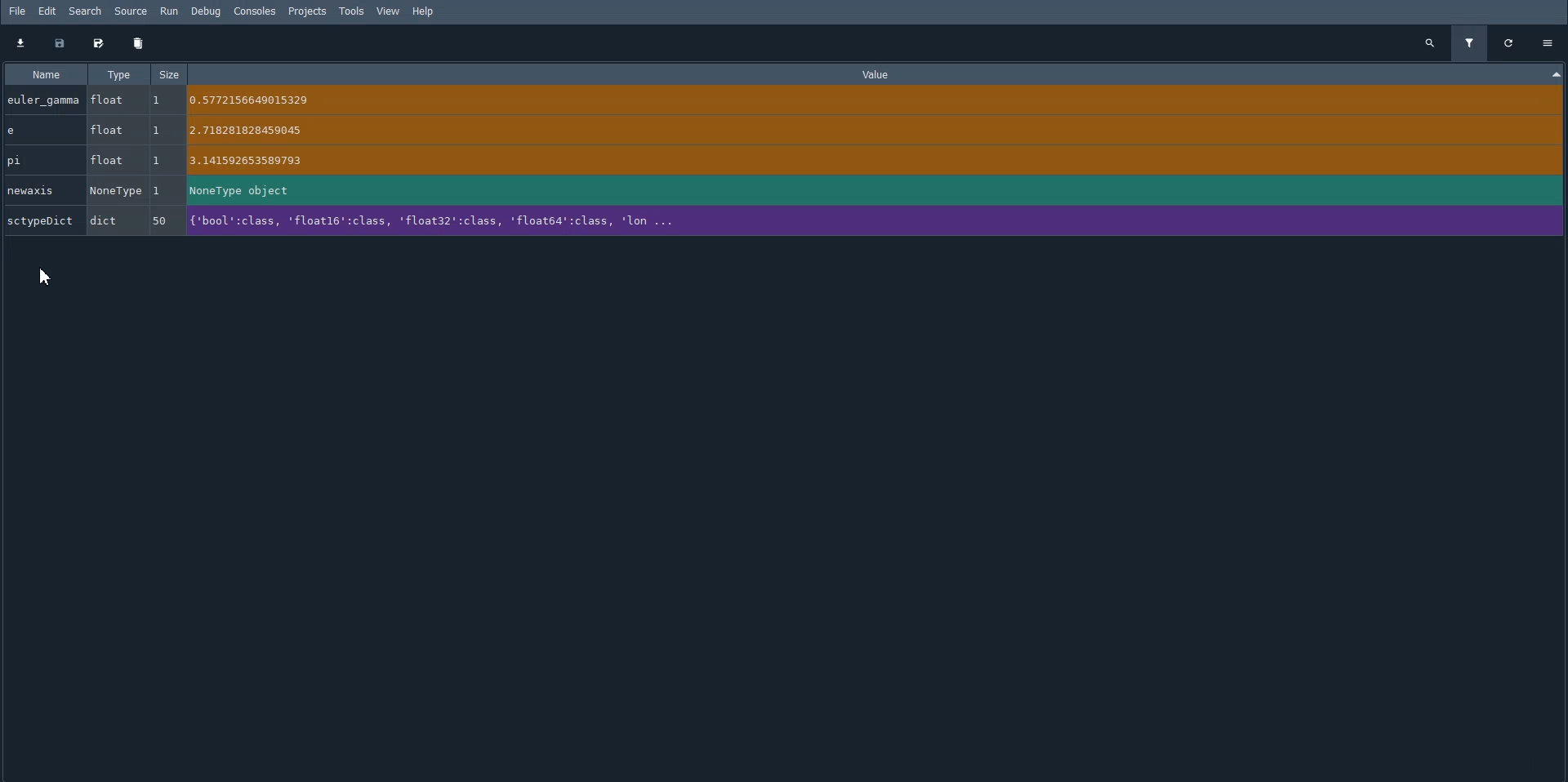  What do you see at coordinates (1472, 42) in the screenshot?
I see `Filter variables` at bounding box center [1472, 42].